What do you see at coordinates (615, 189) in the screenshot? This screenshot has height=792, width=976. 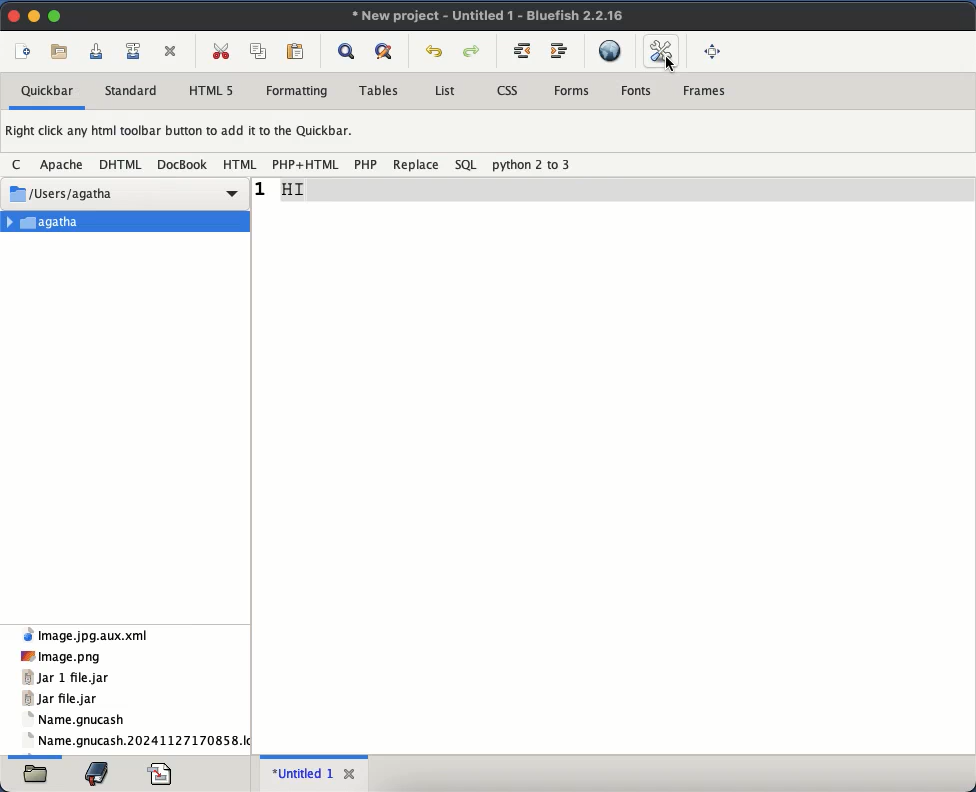 I see `line` at bounding box center [615, 189].